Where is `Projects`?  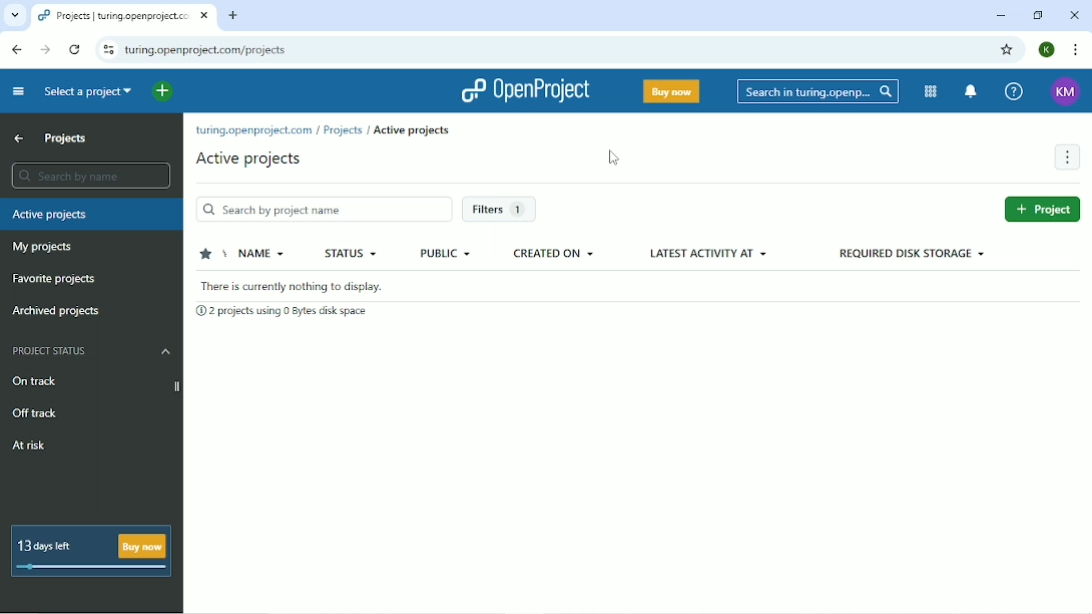
Projects is located at coordinates (66, 138).